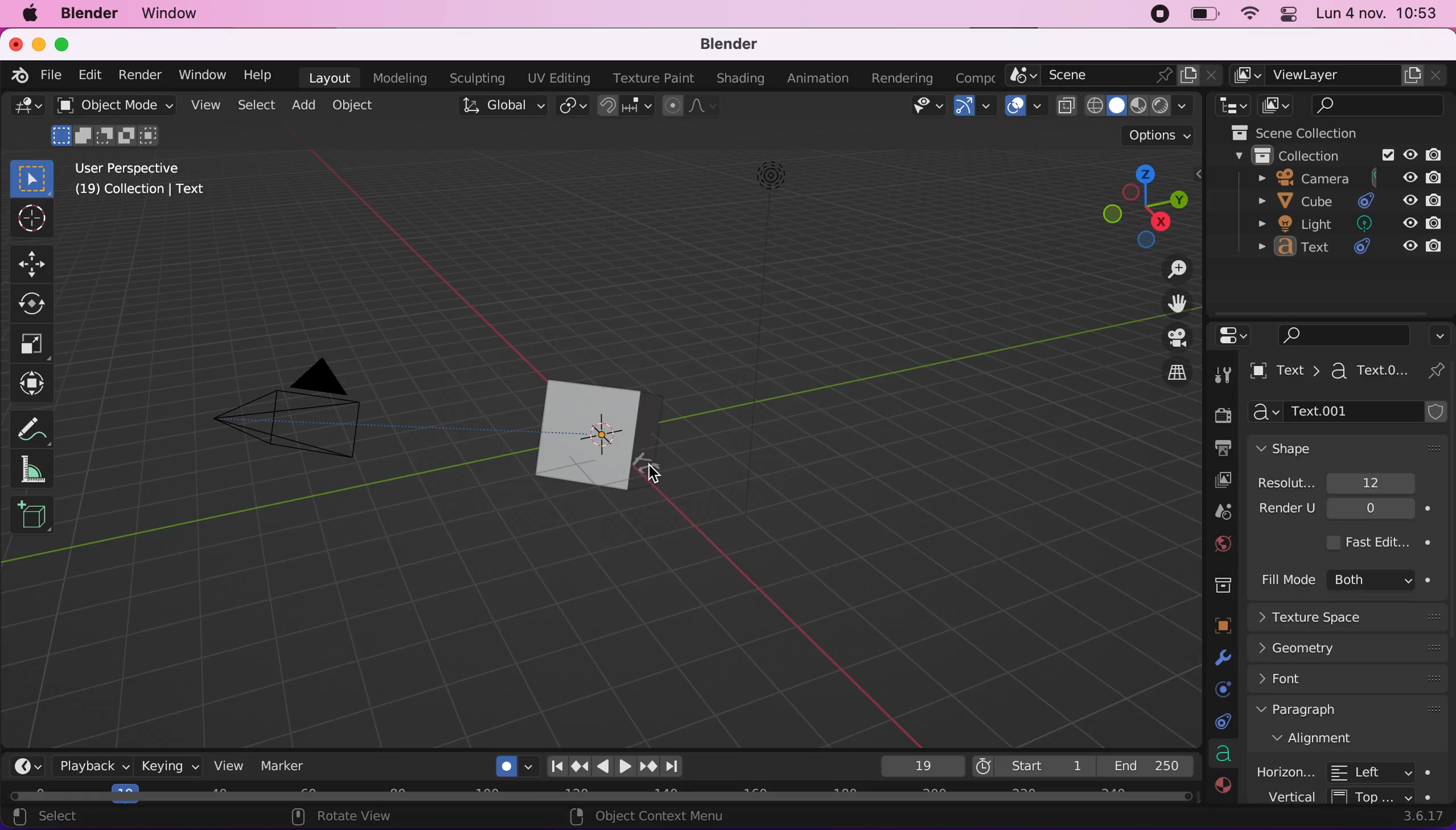 Image resolution: width=1456 pixels, height=830 pixels. What do you see at coordinates (1337, 76) in the screenshot?
I see `viewlayer` at bounding box center [1337, 76].